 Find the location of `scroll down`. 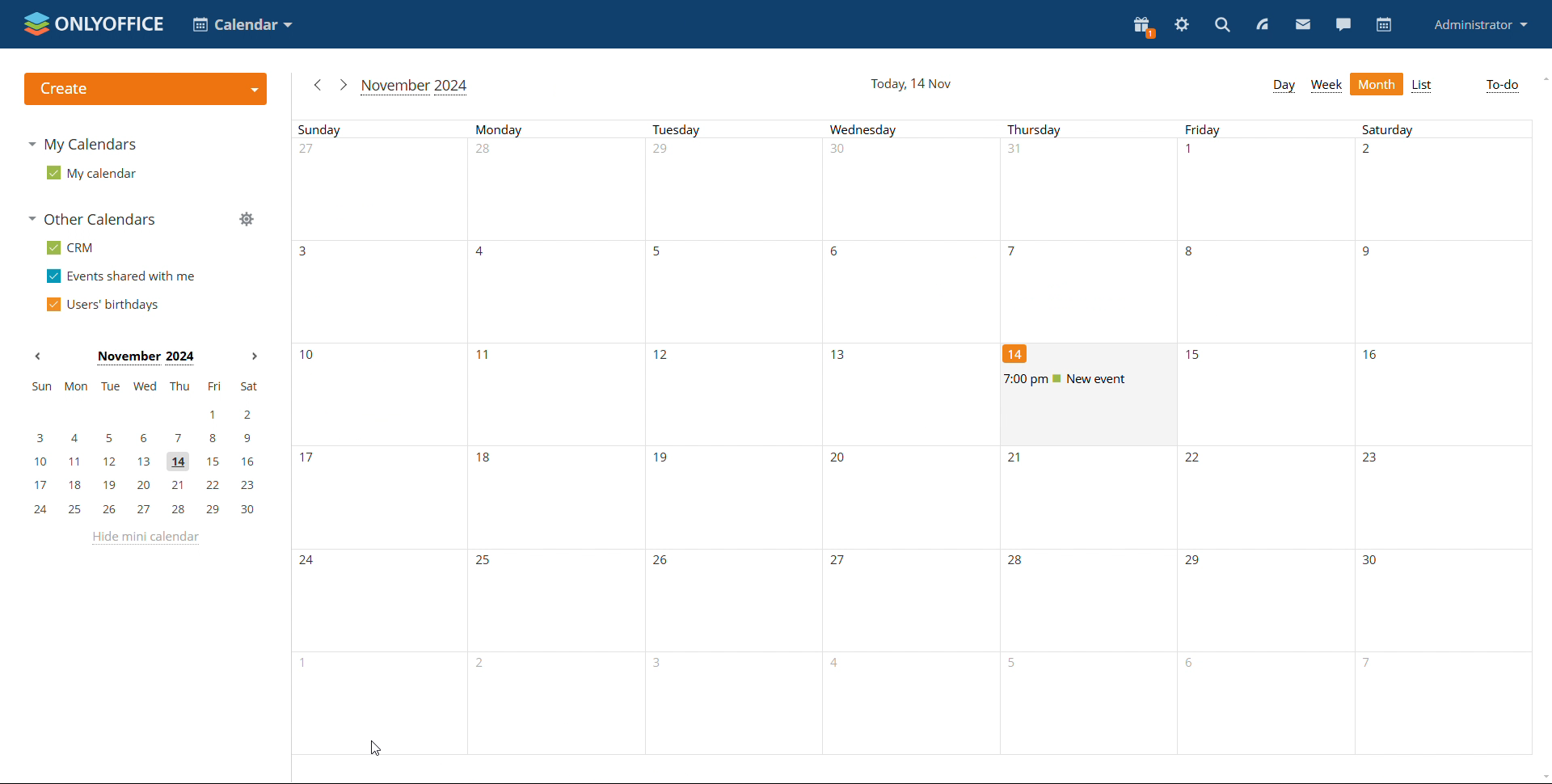

scroll down is located at coordinates (1542, 778).